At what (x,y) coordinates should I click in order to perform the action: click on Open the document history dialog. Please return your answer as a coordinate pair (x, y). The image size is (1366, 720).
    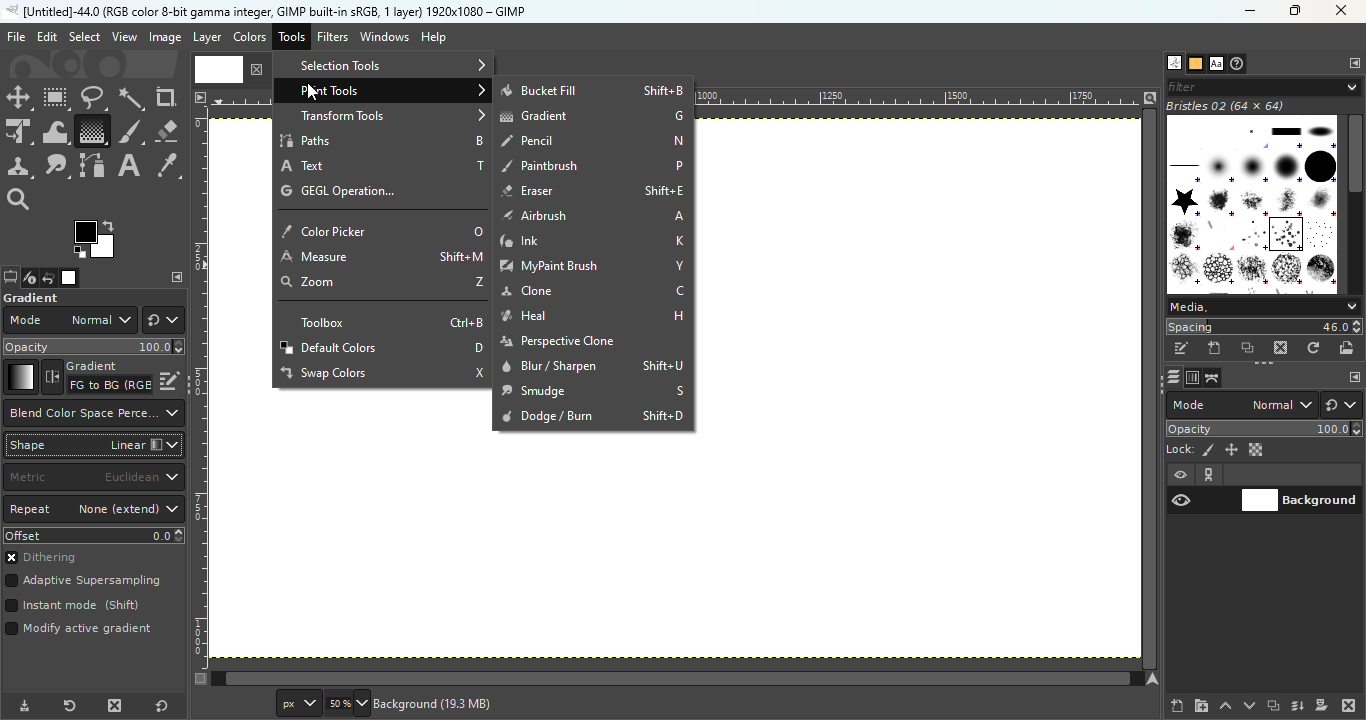
    Looking at the image, I should click on (1239, 64).